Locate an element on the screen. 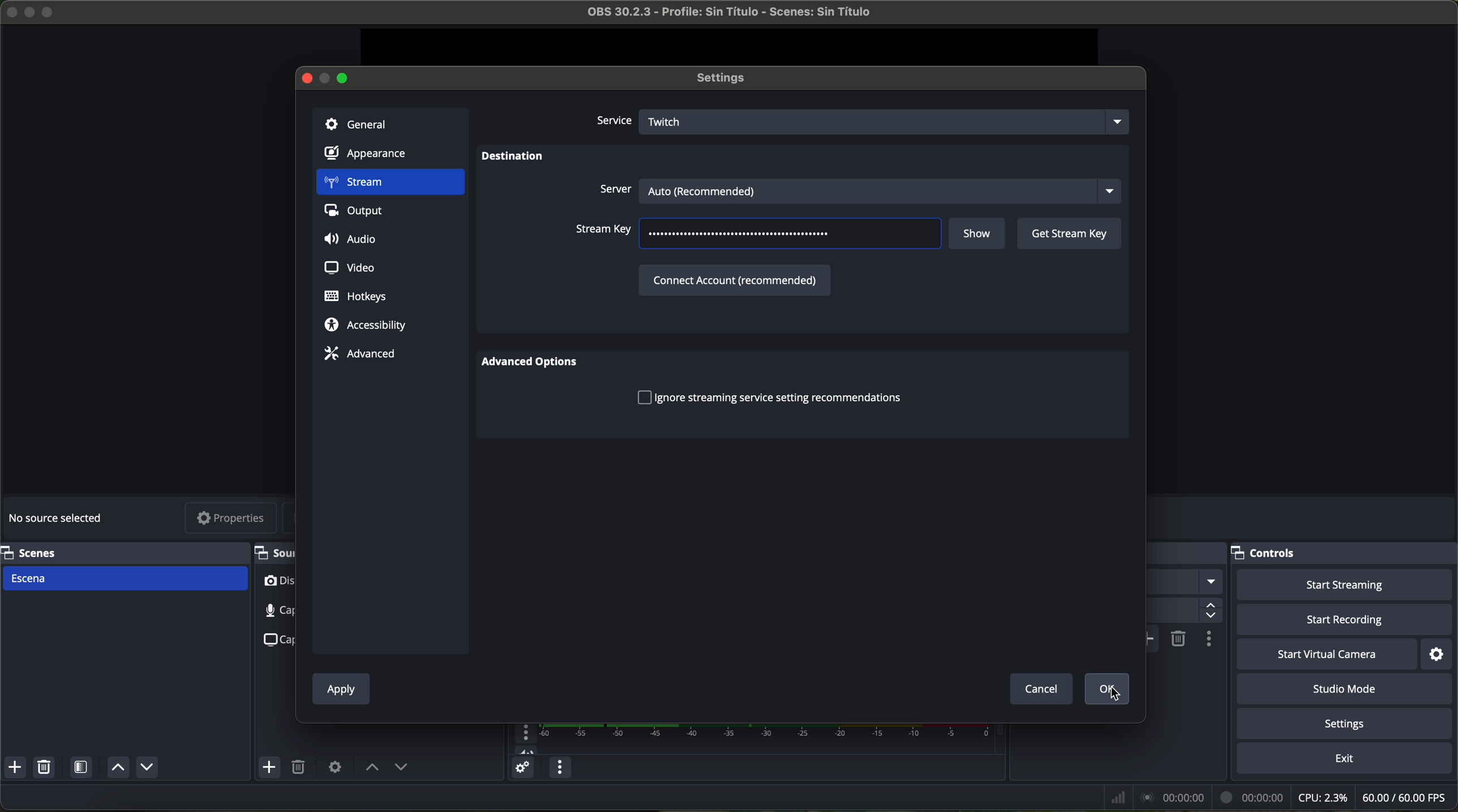  close program is located at coordinates (9, 10).